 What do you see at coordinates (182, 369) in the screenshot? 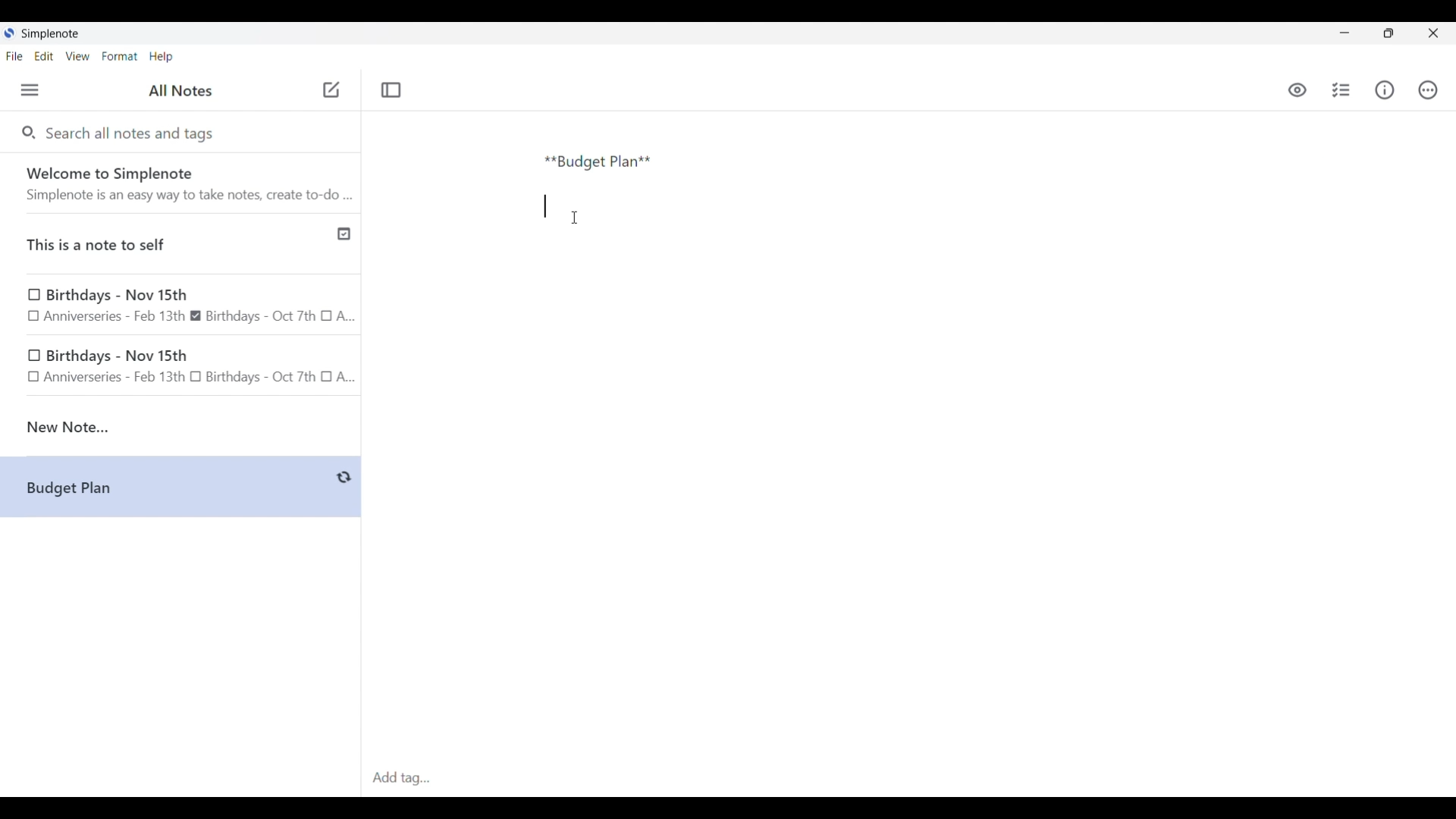
I see `birthday note` at bounding box center [182, 369].